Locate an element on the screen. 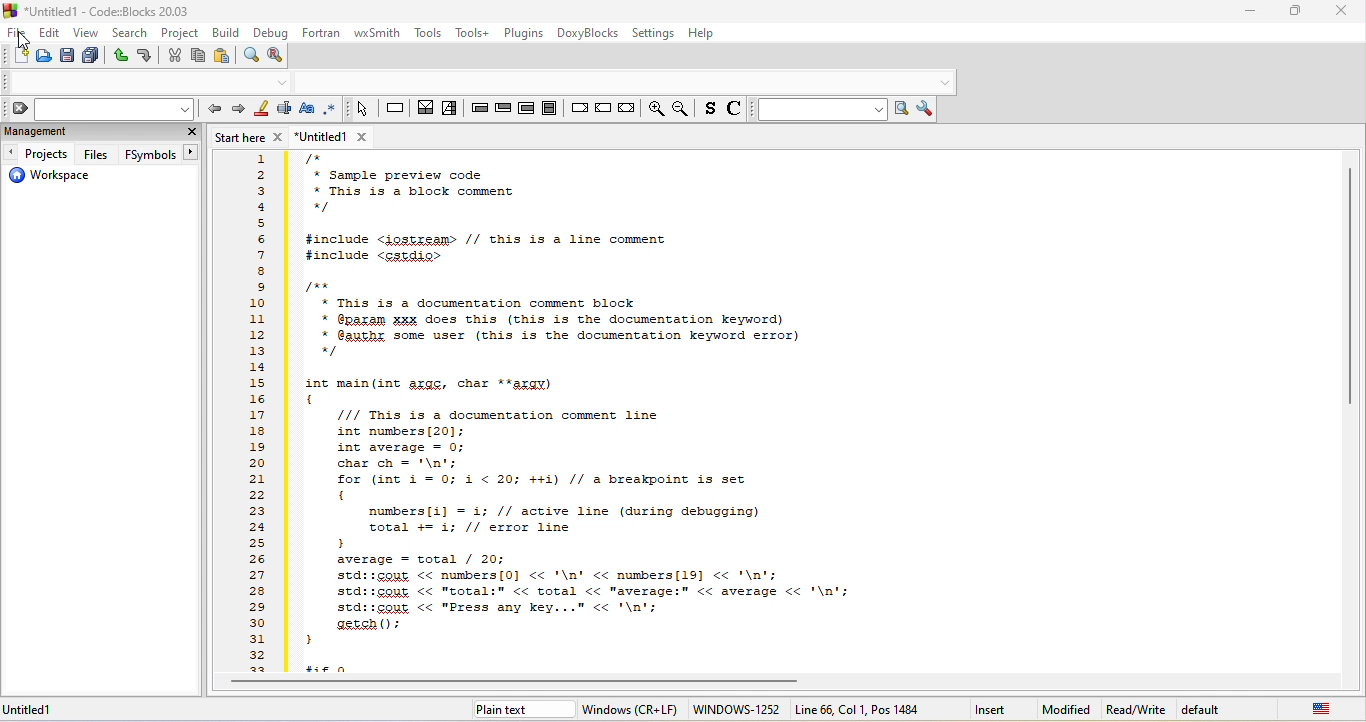 The image size is (1366, 722). project is located at coordinates (182, 34).